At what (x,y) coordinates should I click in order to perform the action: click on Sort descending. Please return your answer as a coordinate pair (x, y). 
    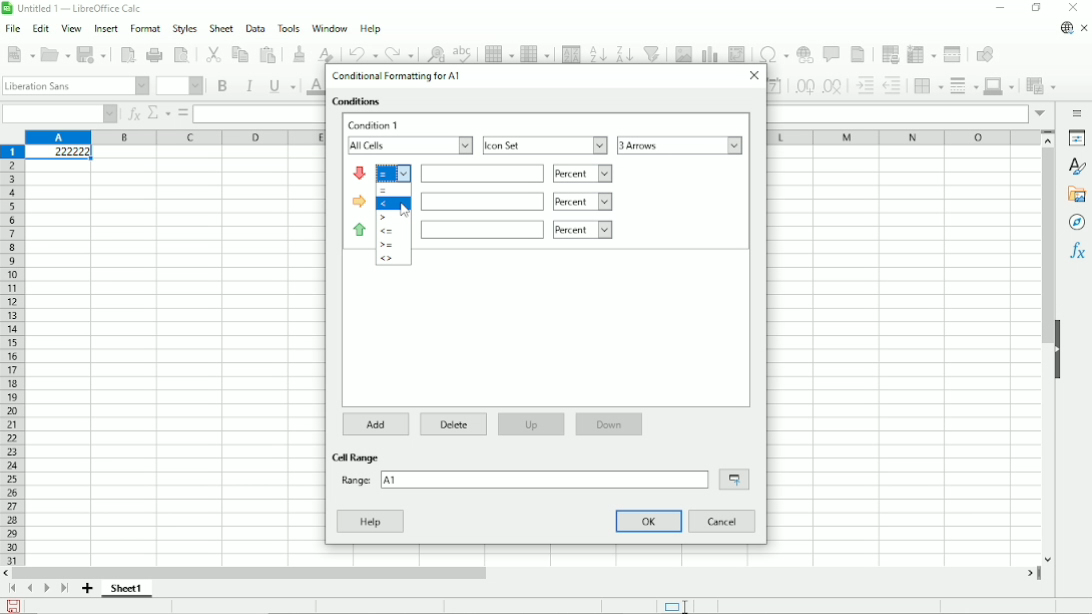
    Looking at the image, I should click on (624, 51).